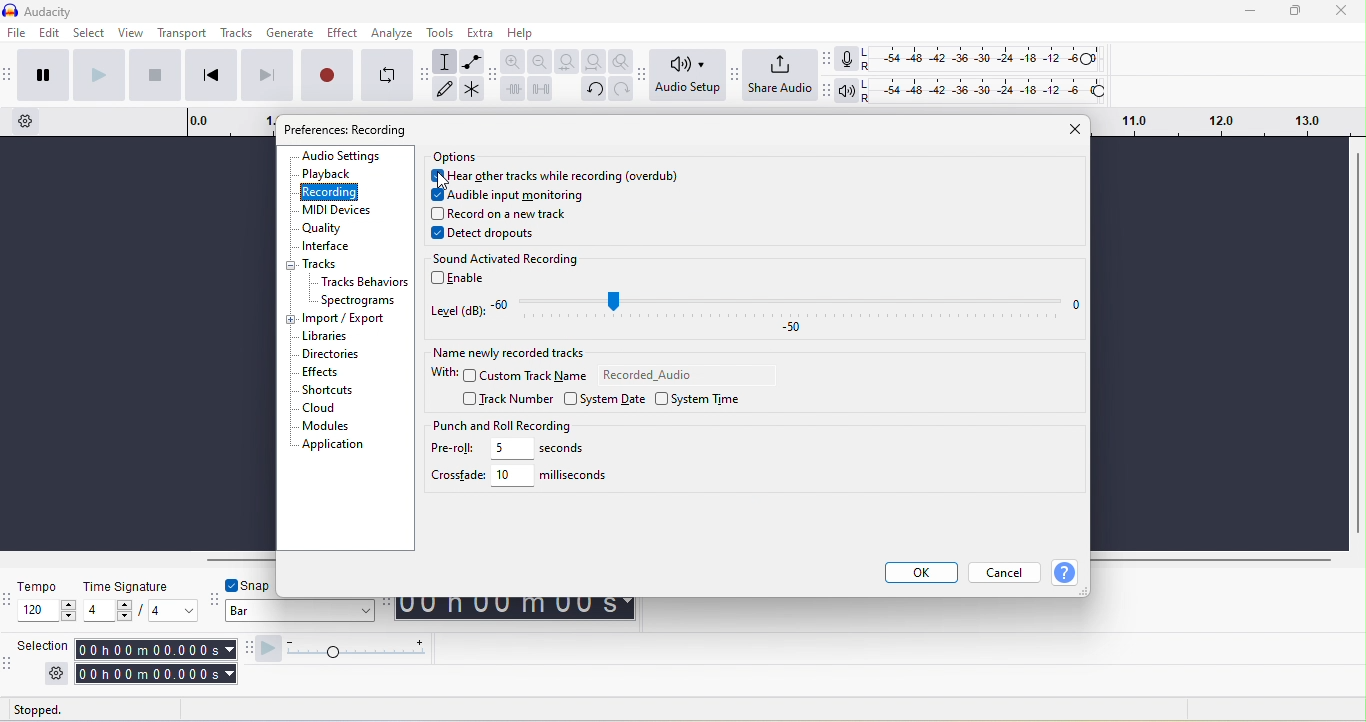  Describe the element at coordinates (234, 32) in the screenshot. I see `tracks` at that location.